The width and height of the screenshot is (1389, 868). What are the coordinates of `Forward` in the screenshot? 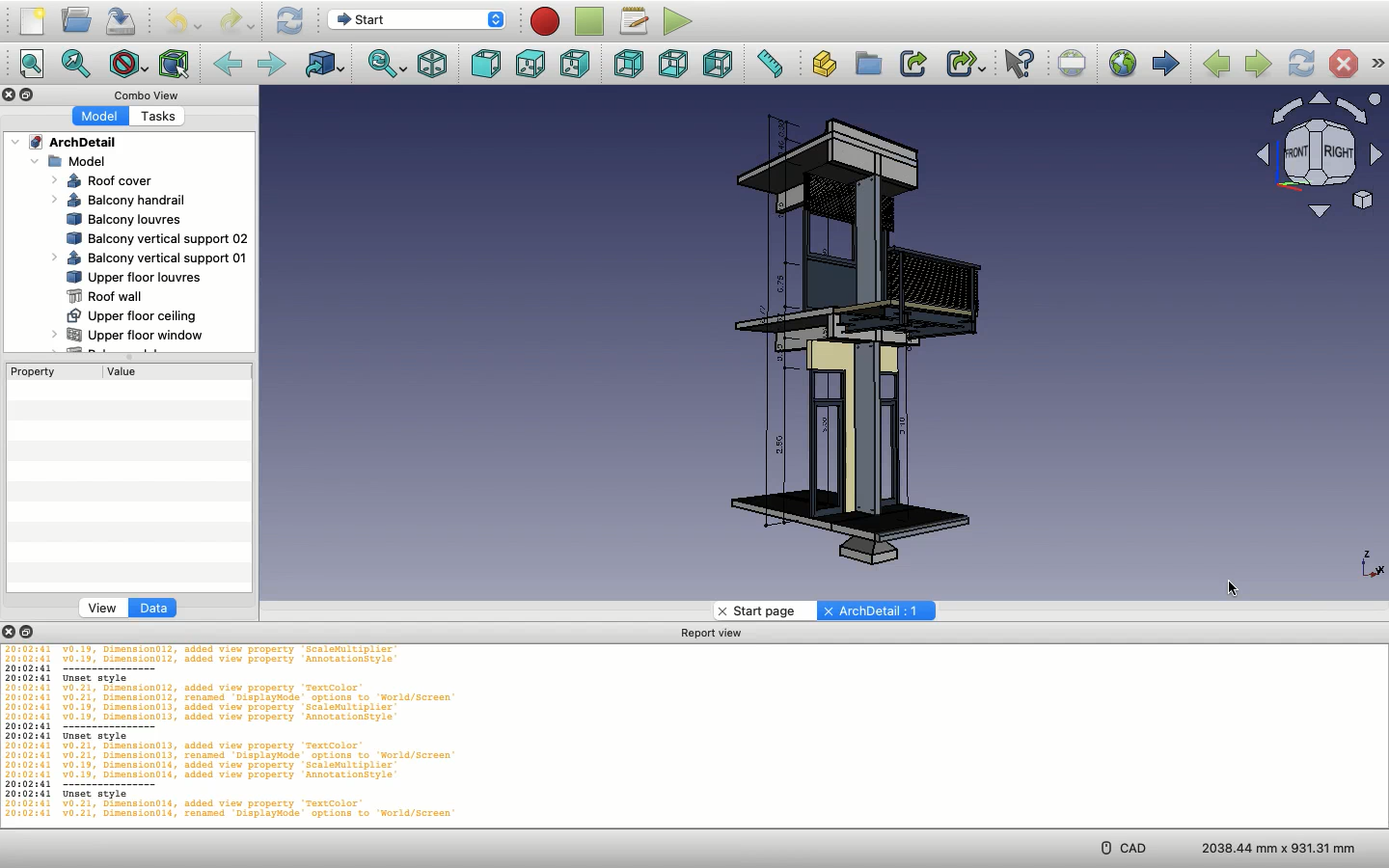 It's located at (270, 63).